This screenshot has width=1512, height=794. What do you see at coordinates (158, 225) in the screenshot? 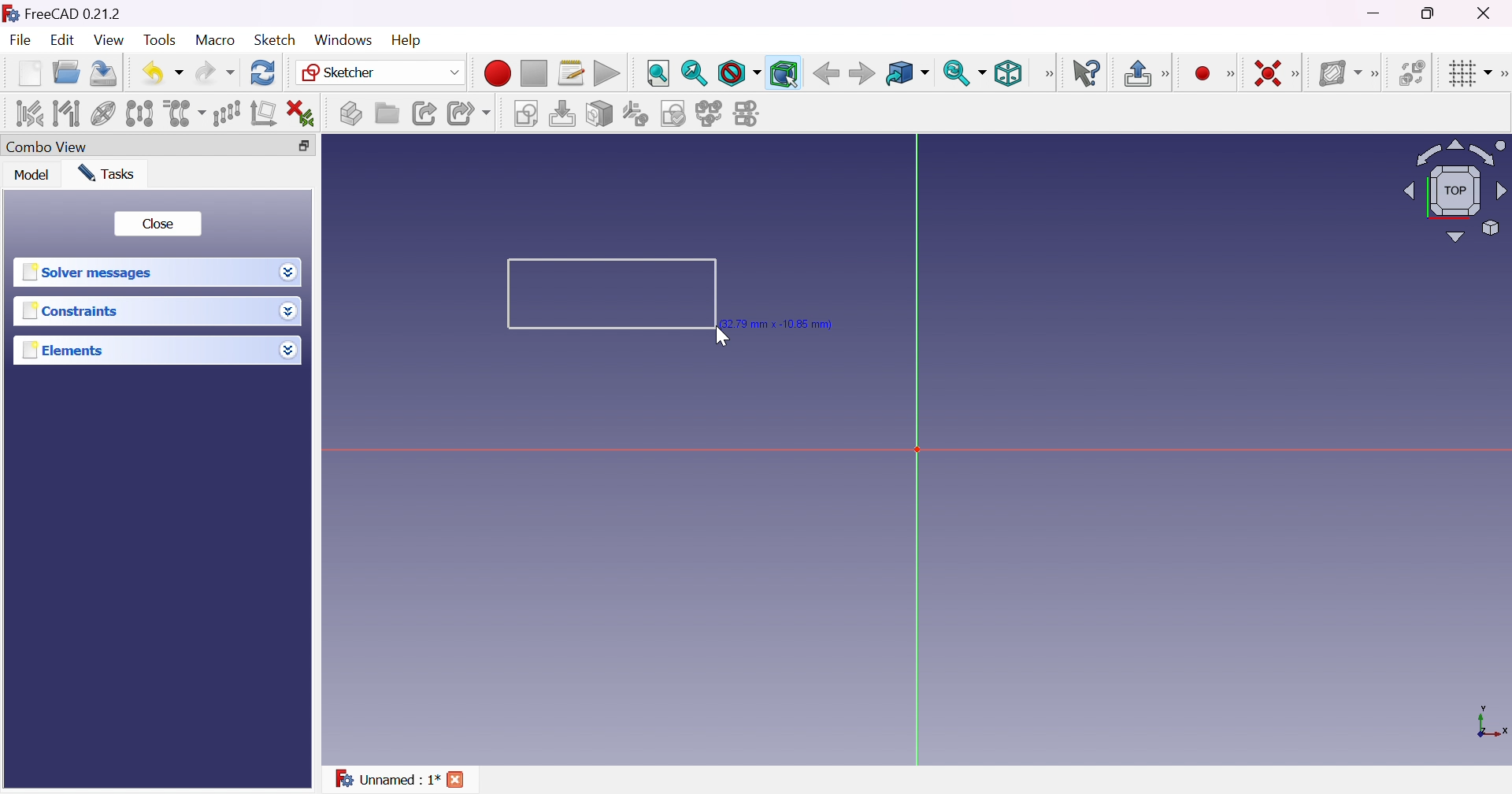
I see `Close` at bounding box center [158, 225].